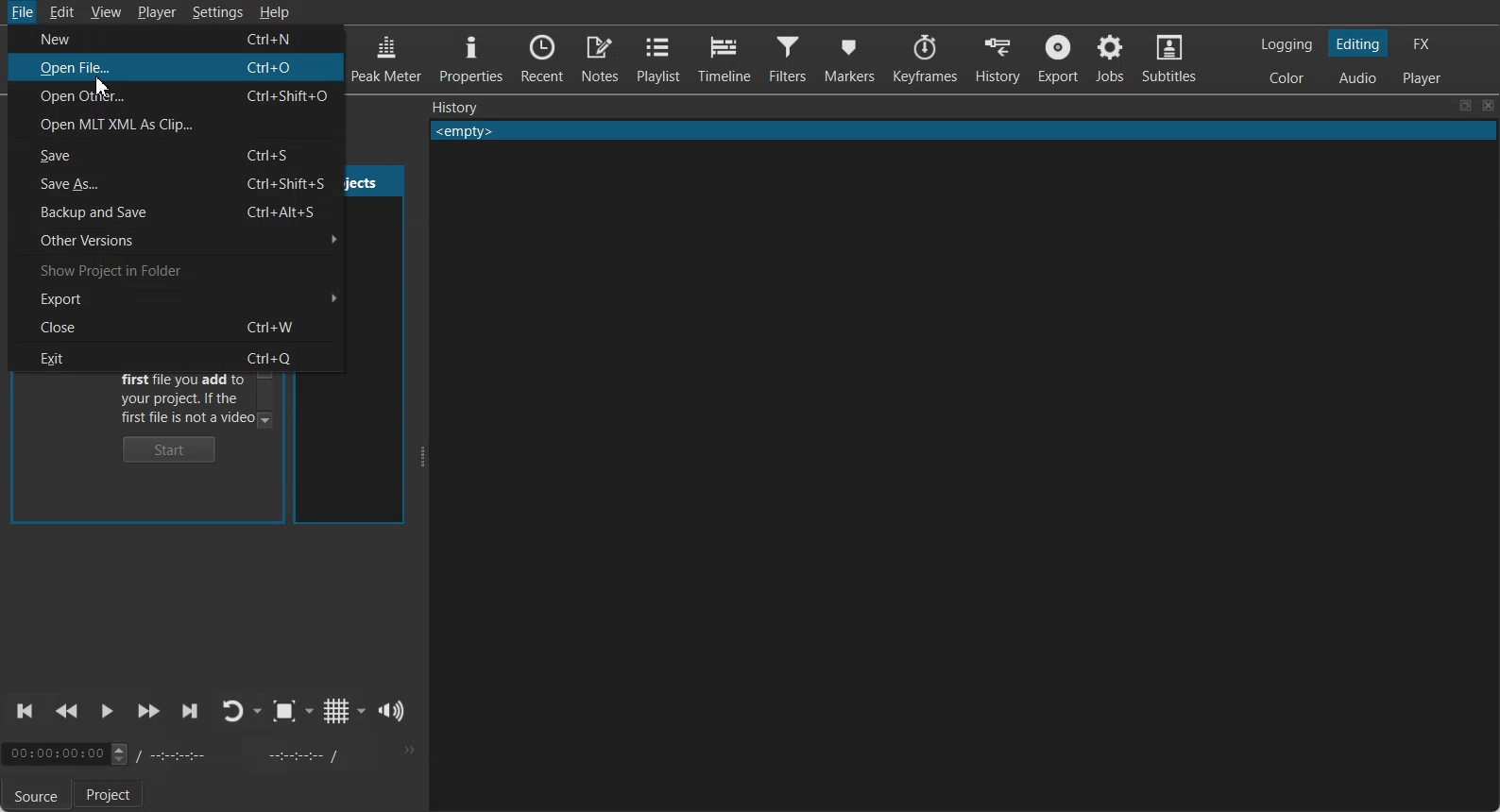 This screenshot has width=1500, height=812. I want to click on More, so click(407, 750).